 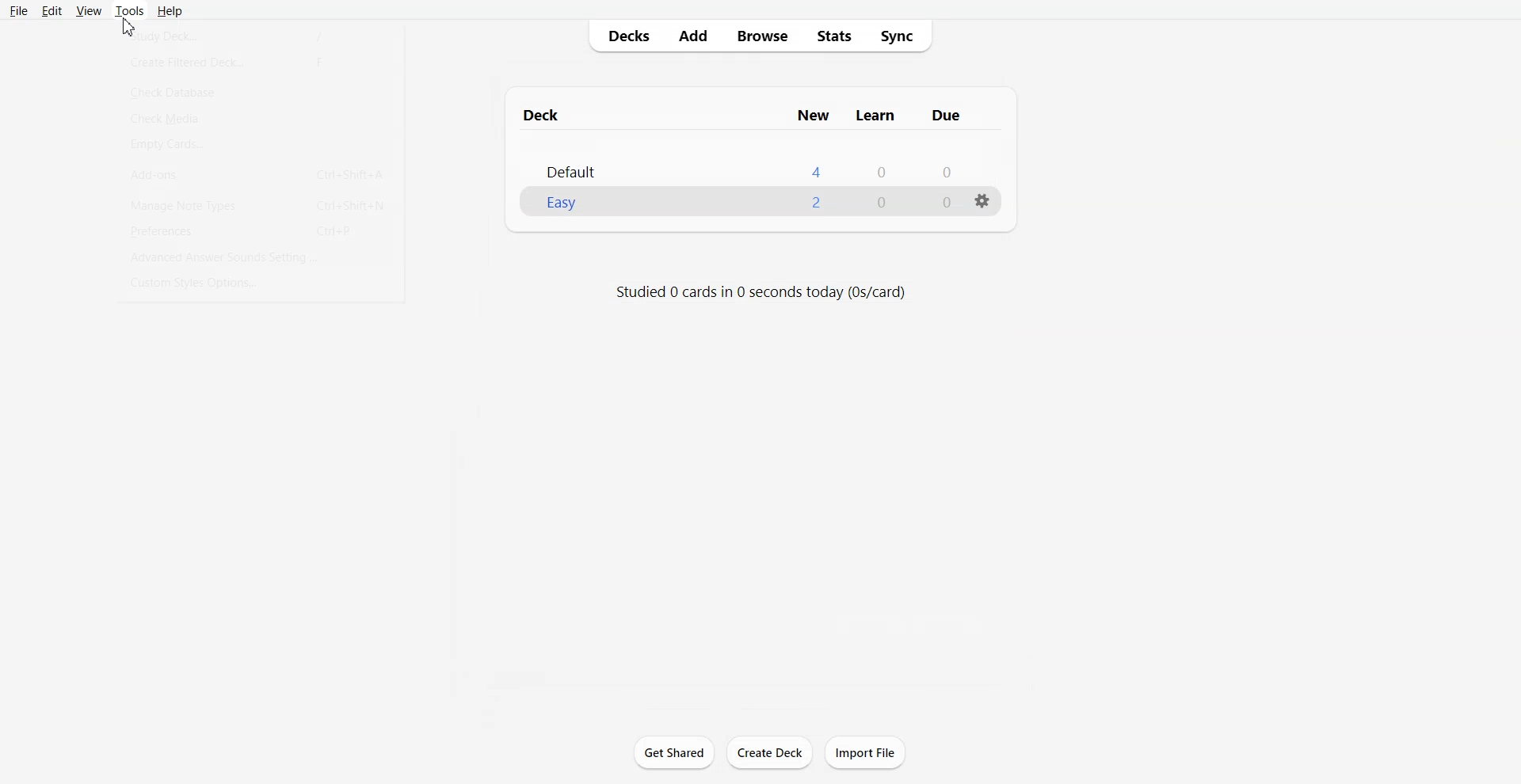 I want to click on File, so click(x=19, y=10).